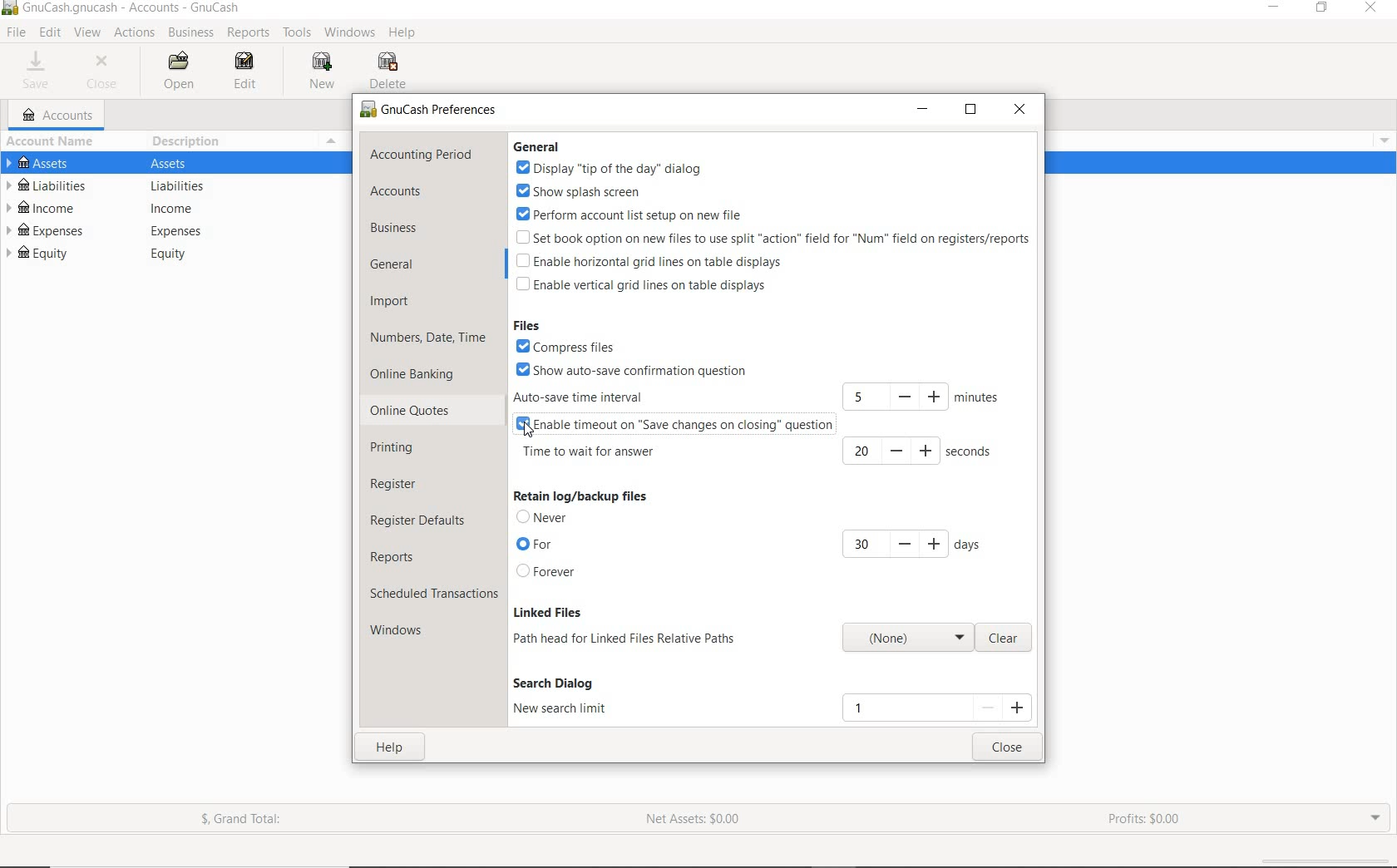 The image size is (1397, 868). Describe the element at coordinates (1145, 821) in the screenshot. I see `PROFITS` at that location.